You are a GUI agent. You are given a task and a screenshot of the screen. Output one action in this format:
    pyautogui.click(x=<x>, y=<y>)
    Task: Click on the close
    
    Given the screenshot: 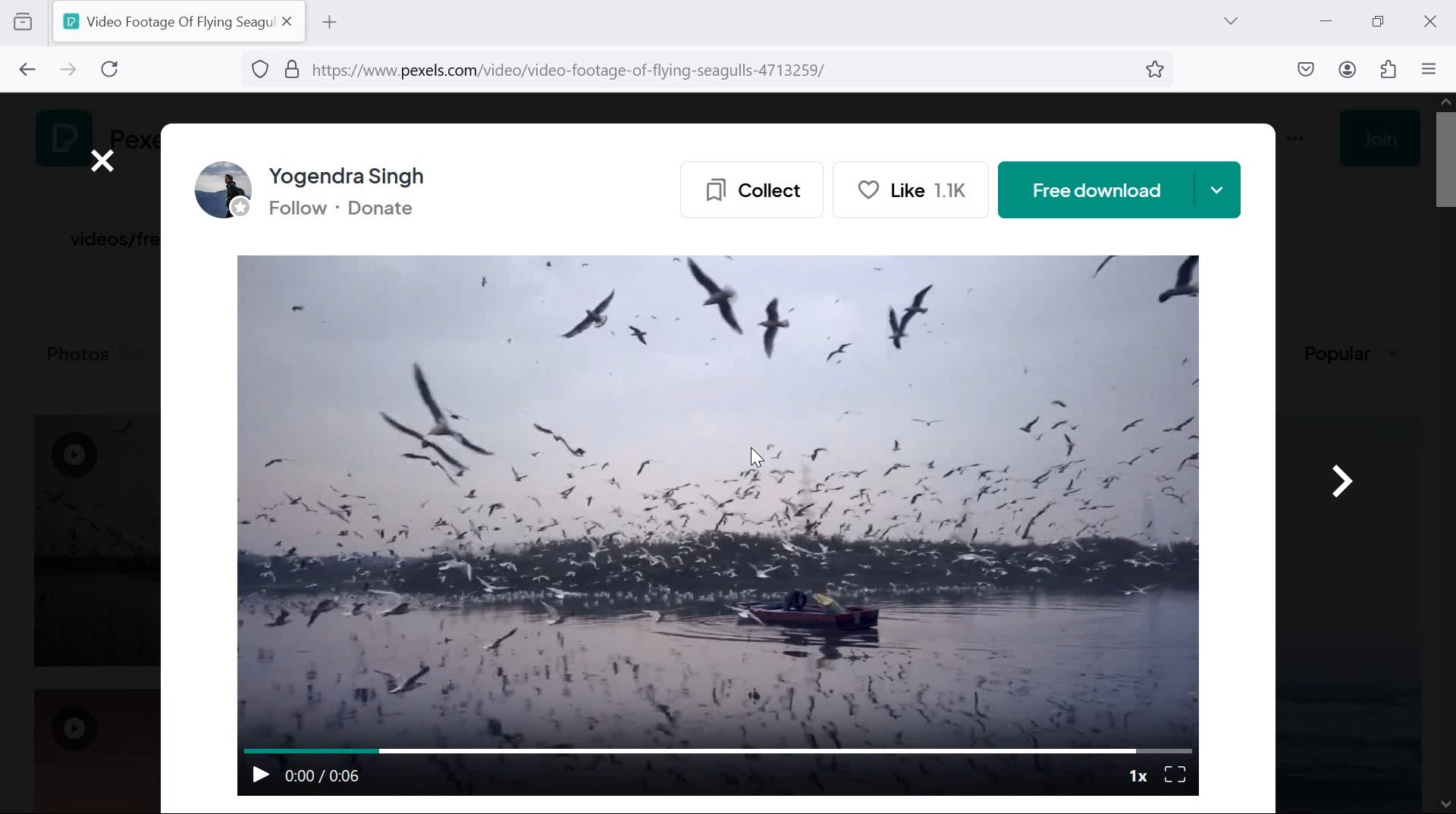 What is the action you would take?
    pyautogui.click(x=1428, y=21)
    